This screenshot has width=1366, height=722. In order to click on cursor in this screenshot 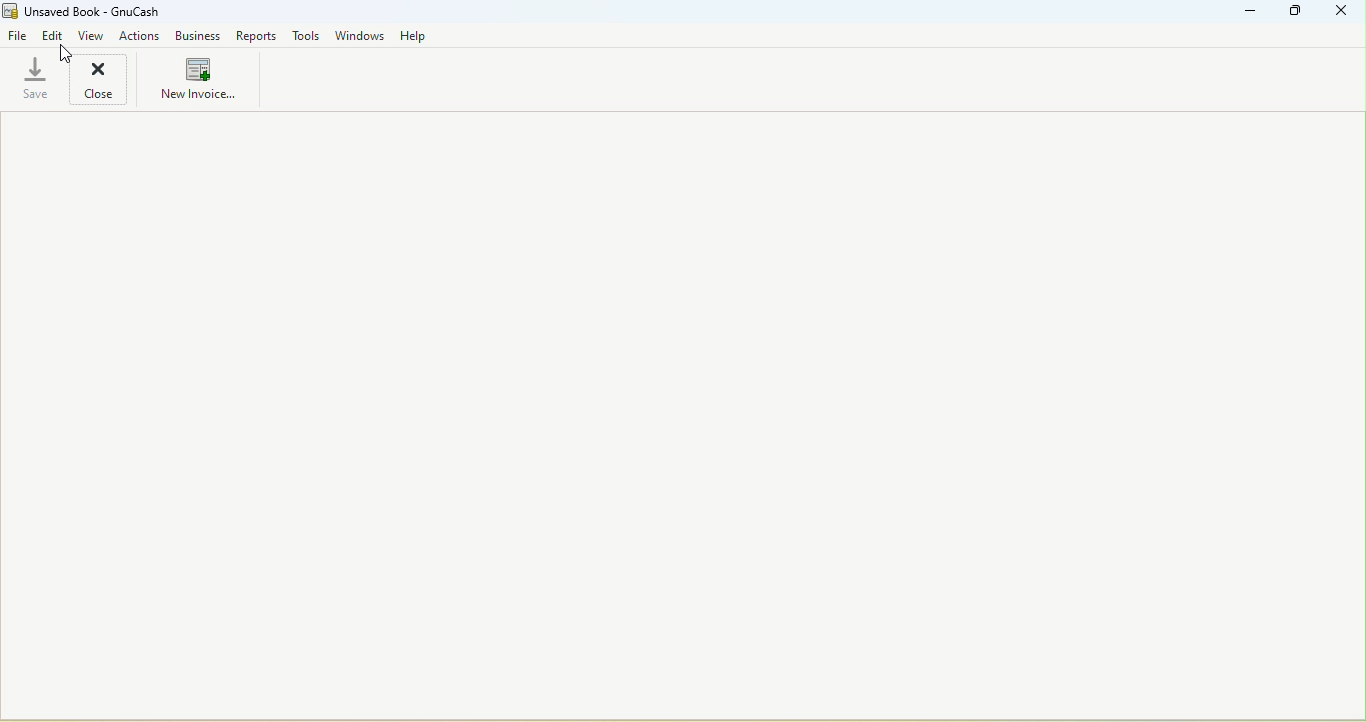, I will do `click(63, 55)`.